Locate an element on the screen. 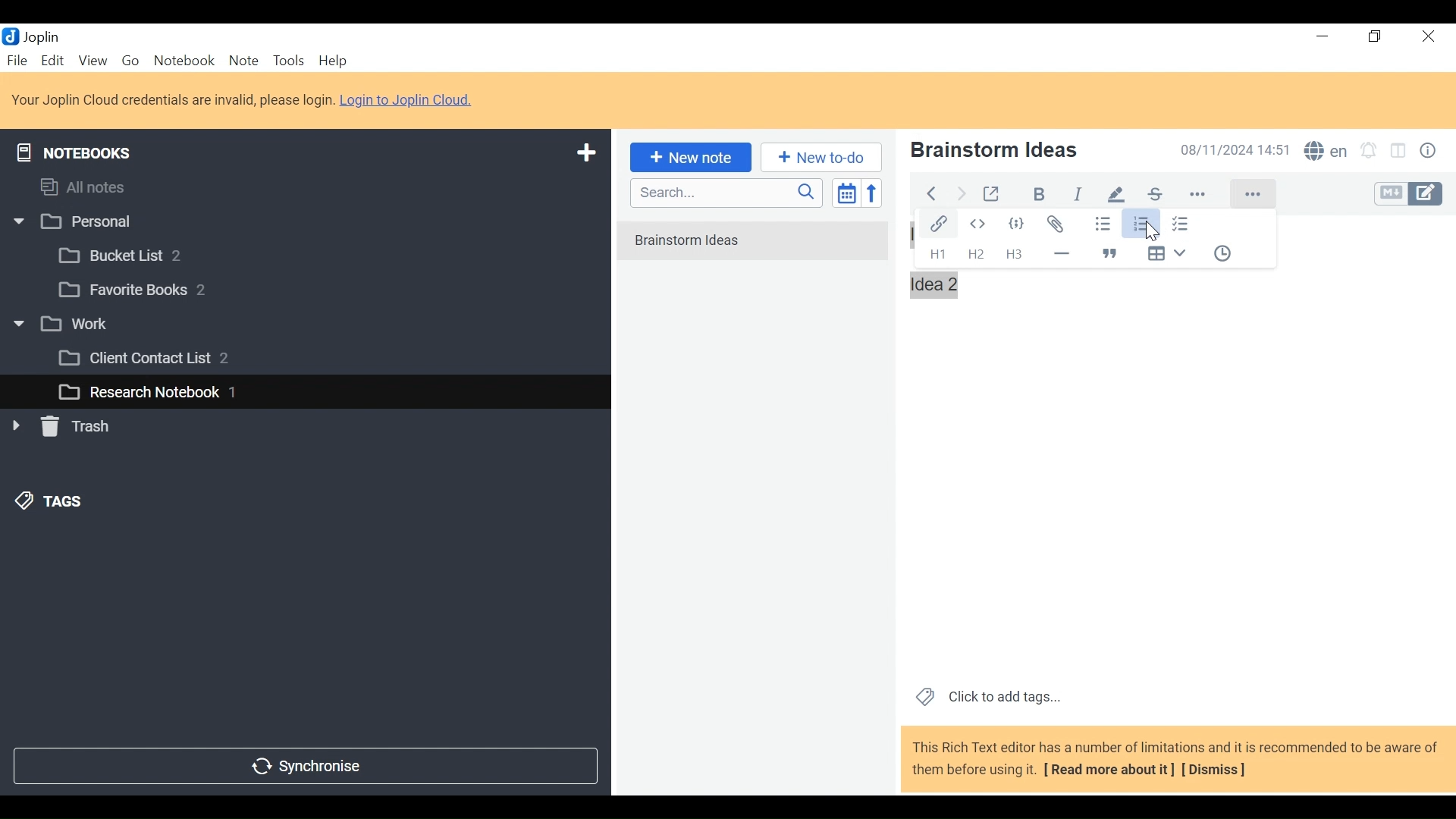  Bulleted list is located at coordinates (1102, 224).